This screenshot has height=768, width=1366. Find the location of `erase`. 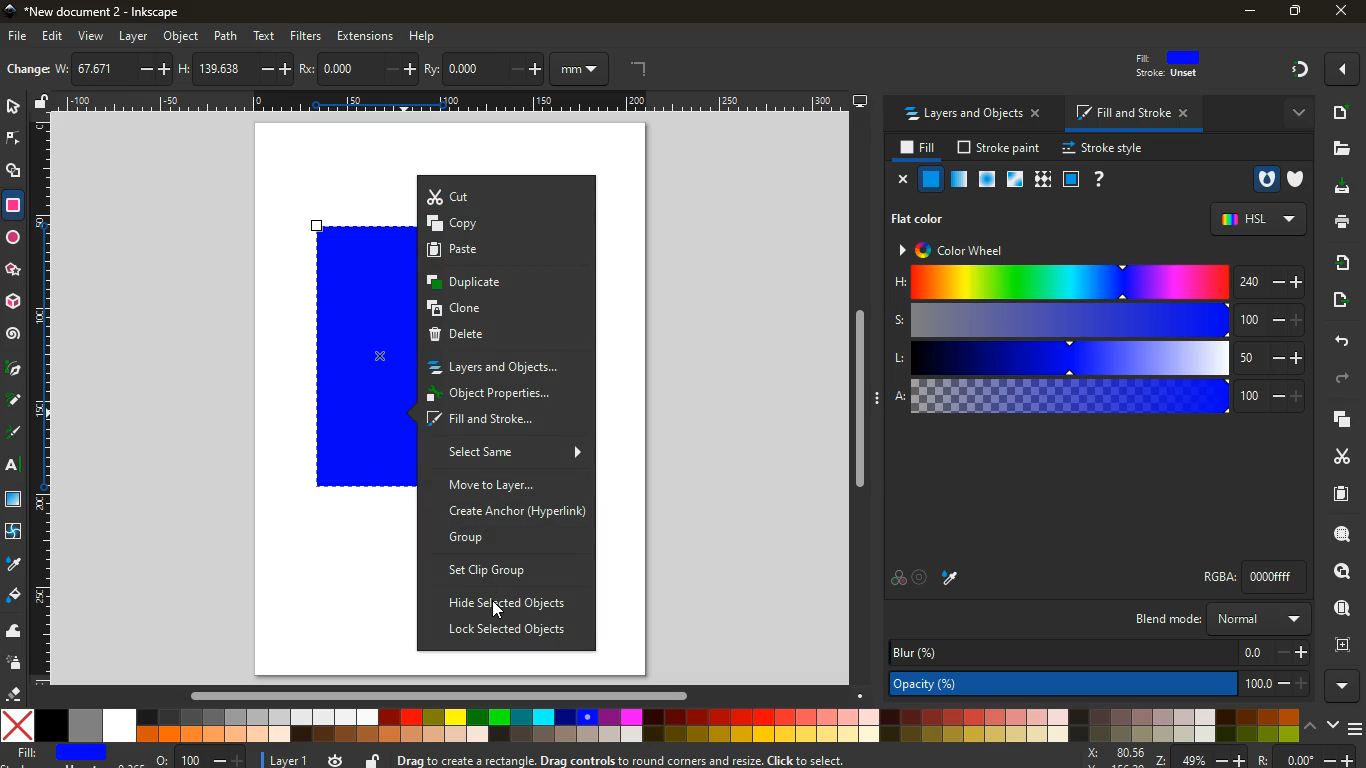

erase is located at coordinates (13, 693).